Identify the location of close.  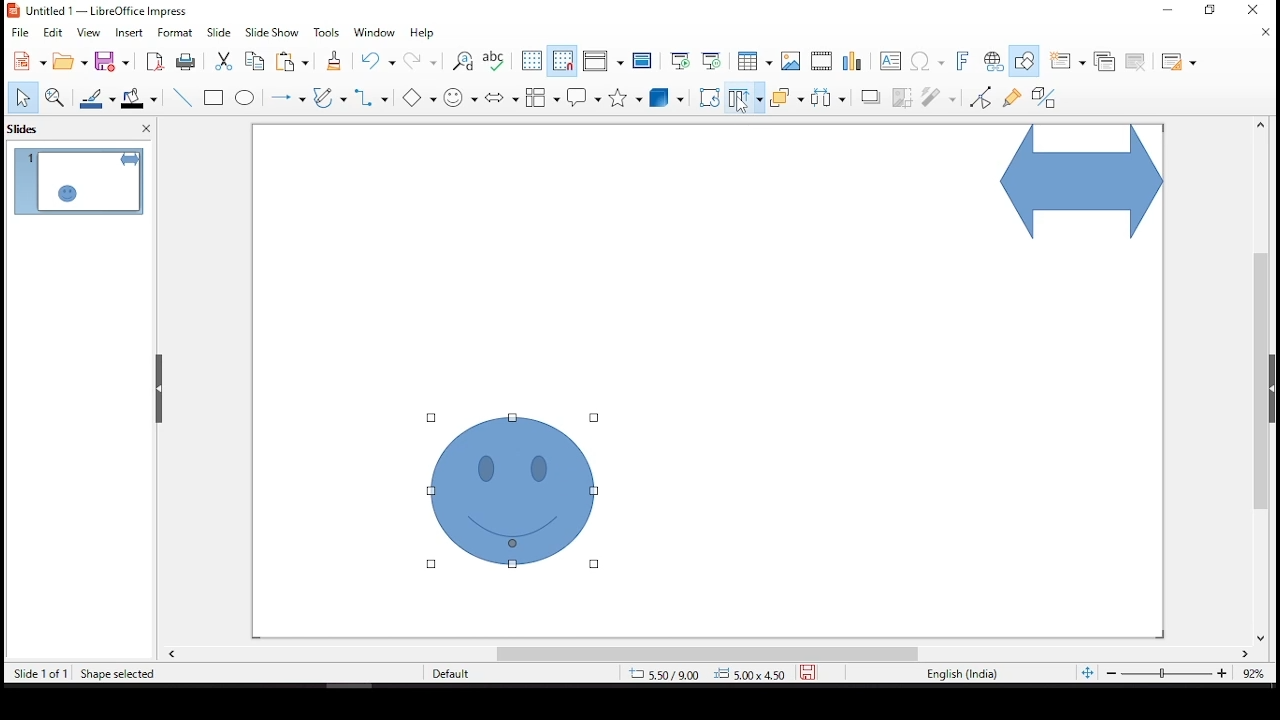
(1268, 34).